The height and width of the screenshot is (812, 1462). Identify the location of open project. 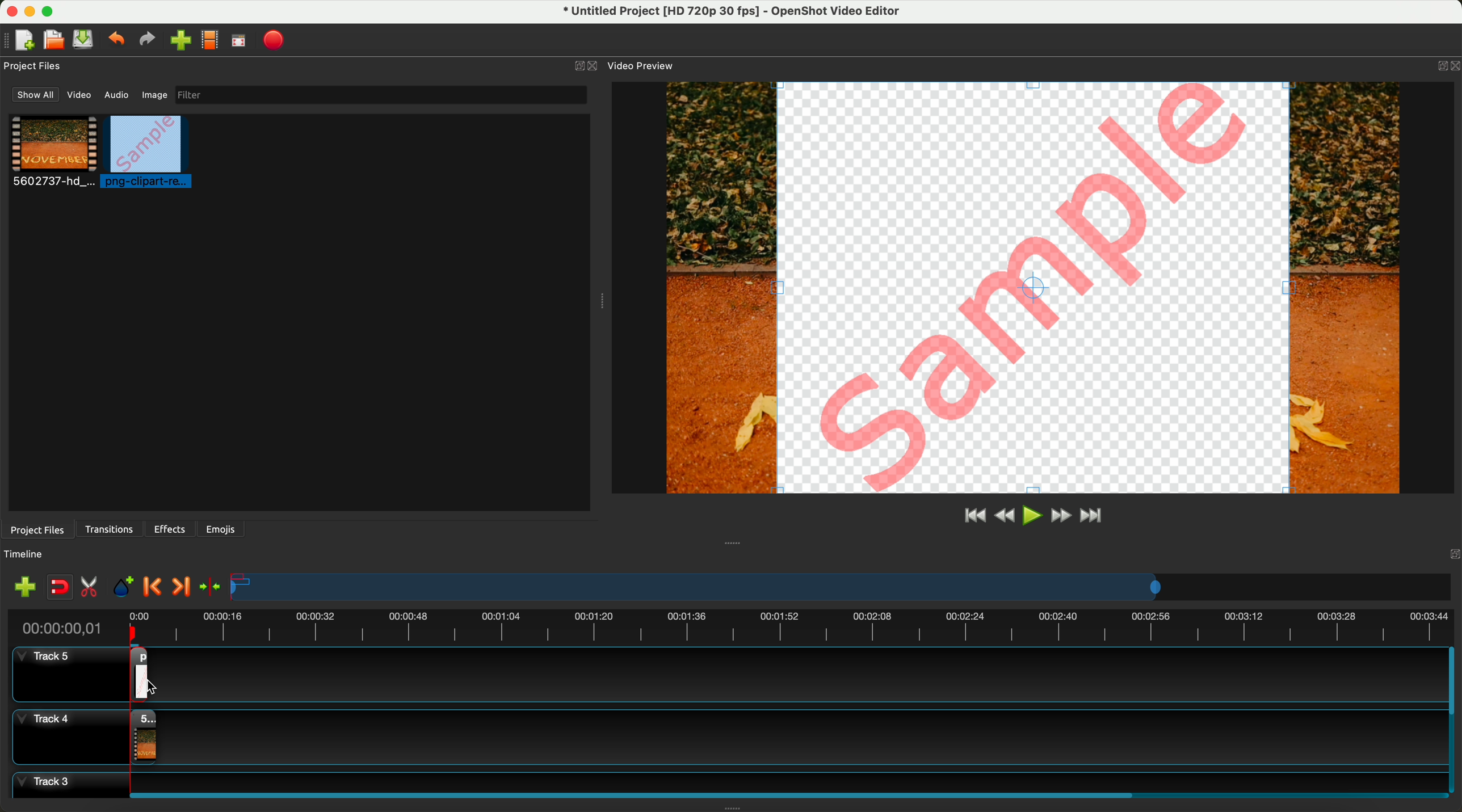
(53, 41).